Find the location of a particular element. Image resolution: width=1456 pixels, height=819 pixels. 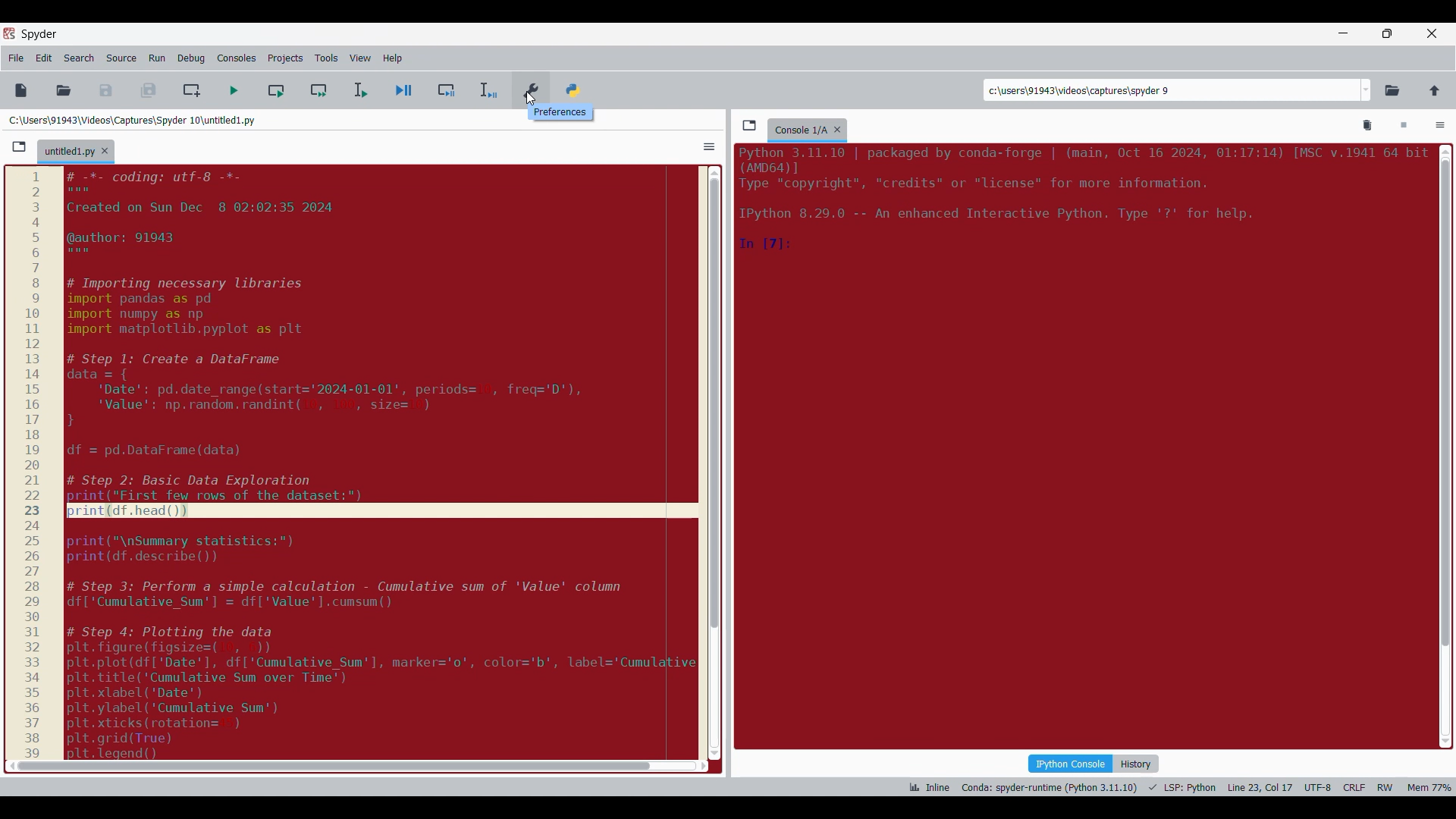

Location options is located at coordinates (1367, 90).